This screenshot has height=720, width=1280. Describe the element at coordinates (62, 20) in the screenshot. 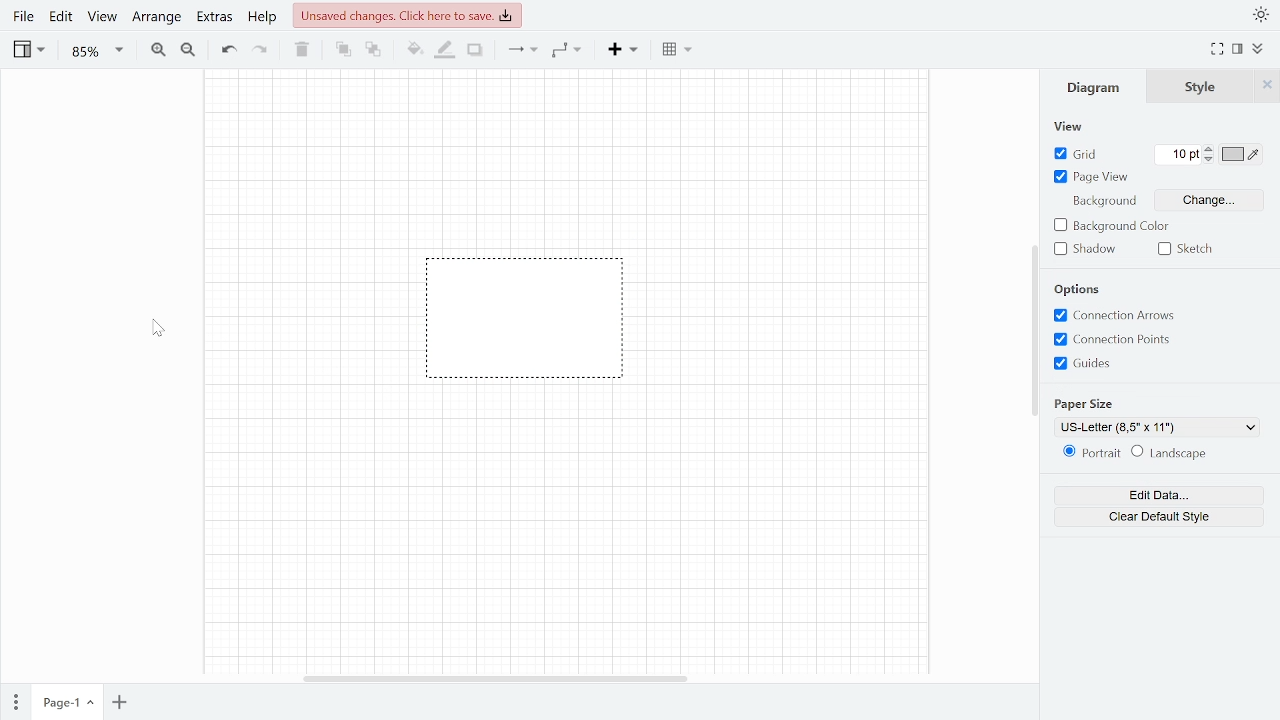

I see `Edit` at that location.